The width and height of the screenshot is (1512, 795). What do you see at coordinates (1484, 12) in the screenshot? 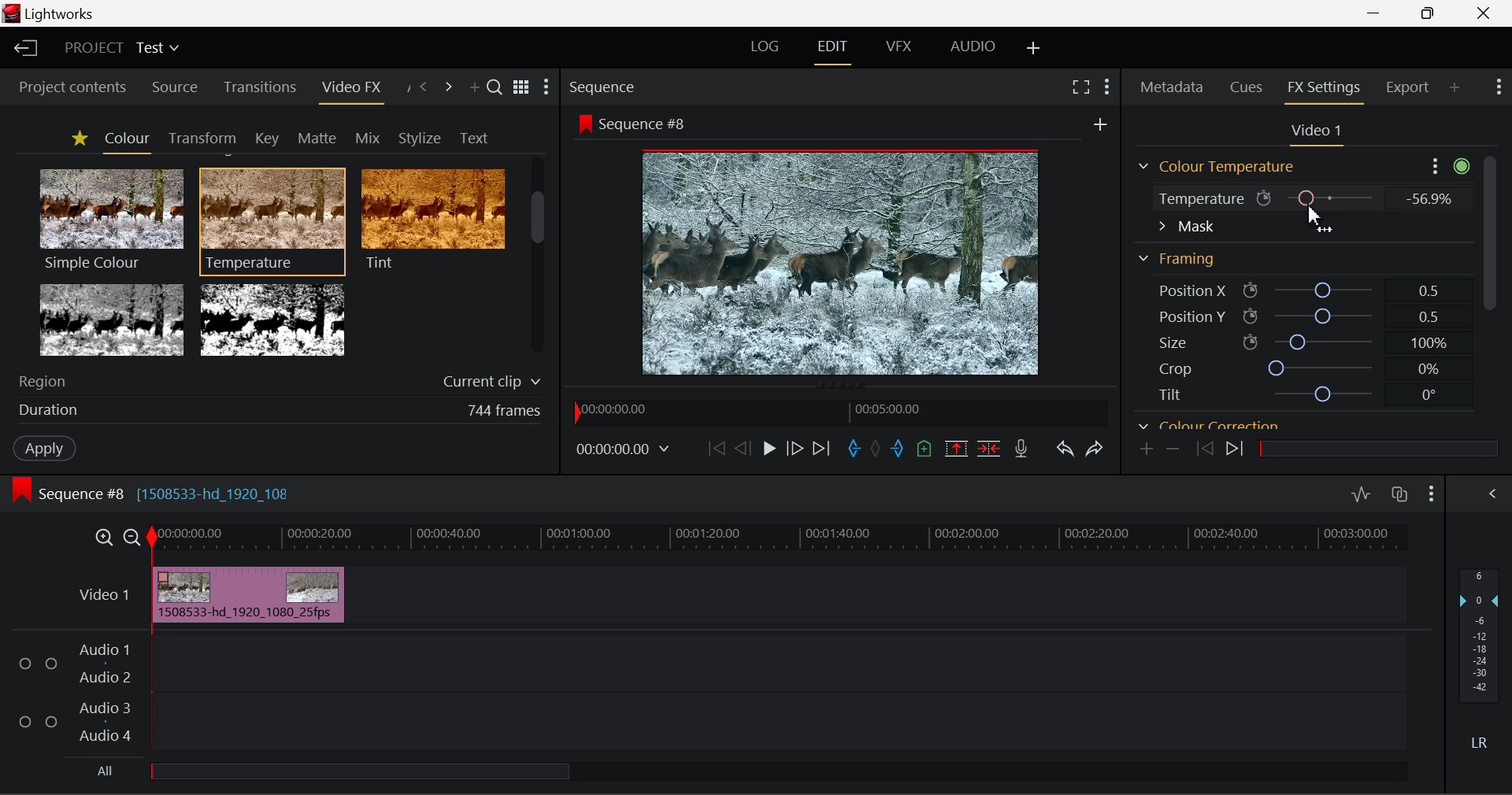
I see `Close` at bounding box center [1484, 12].